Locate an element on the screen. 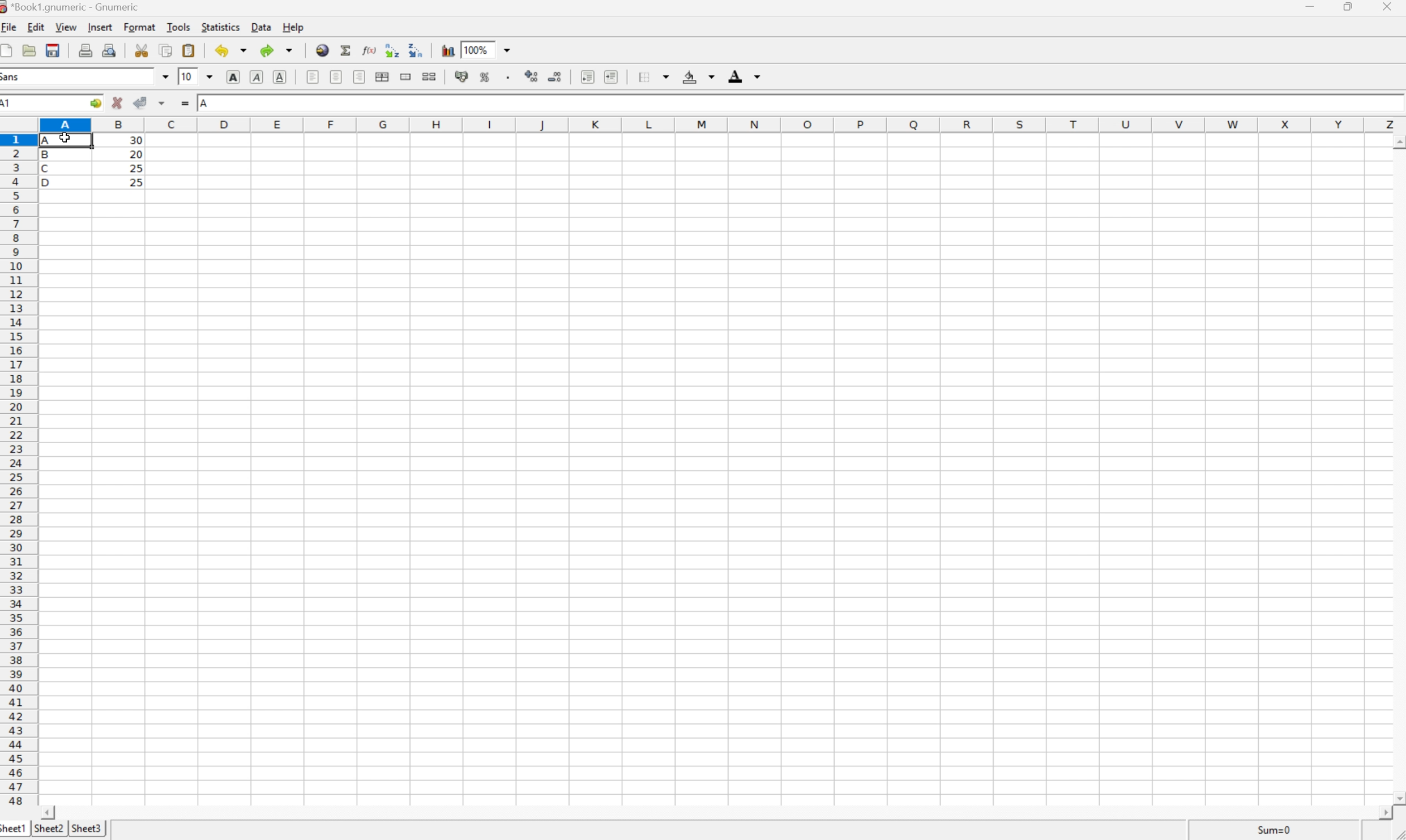  Print preview is located at coordinates (110, 49).